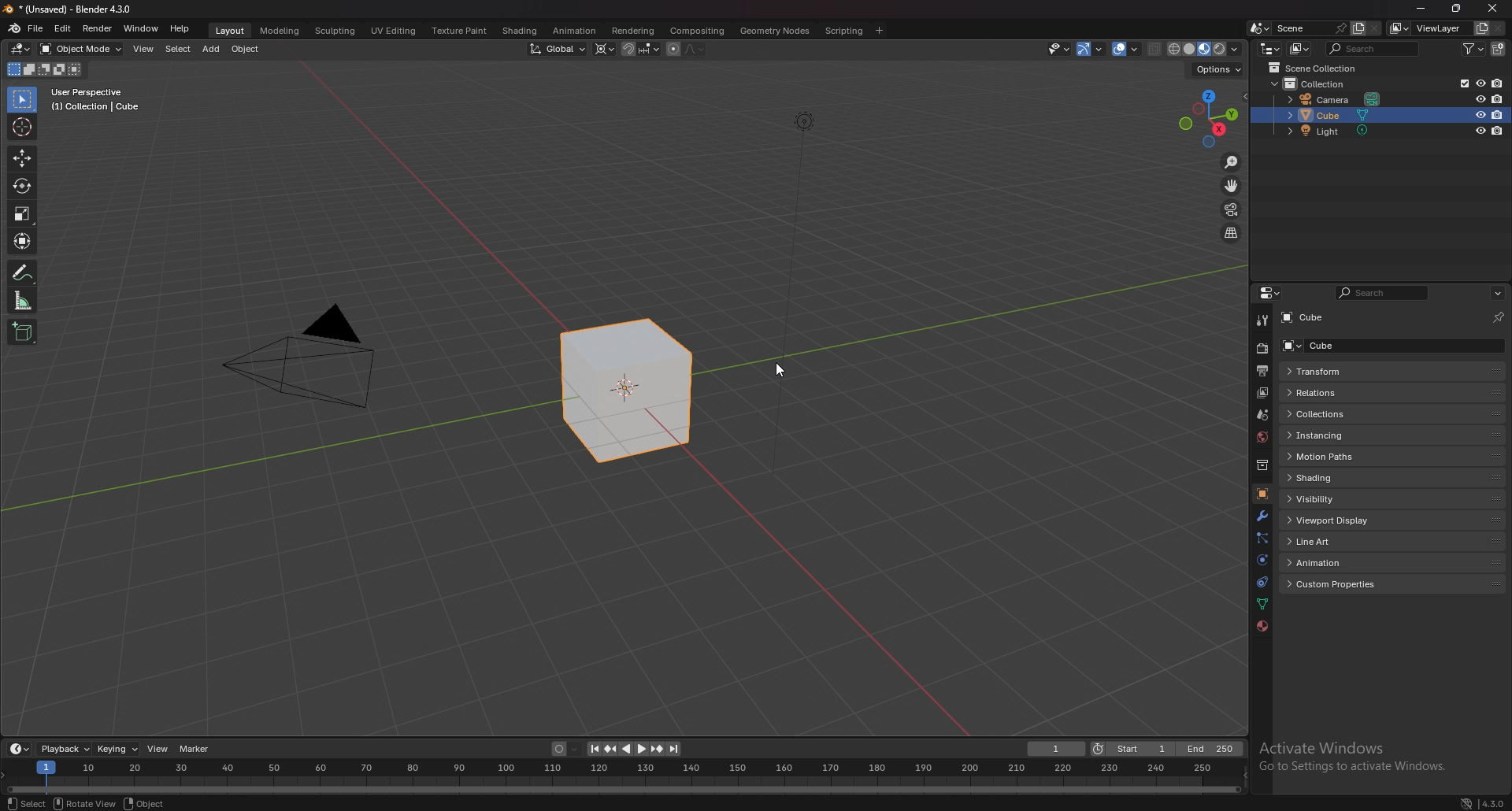 This screenshot has height=811, width=1512. I want to click on options, so click(1219, 70).